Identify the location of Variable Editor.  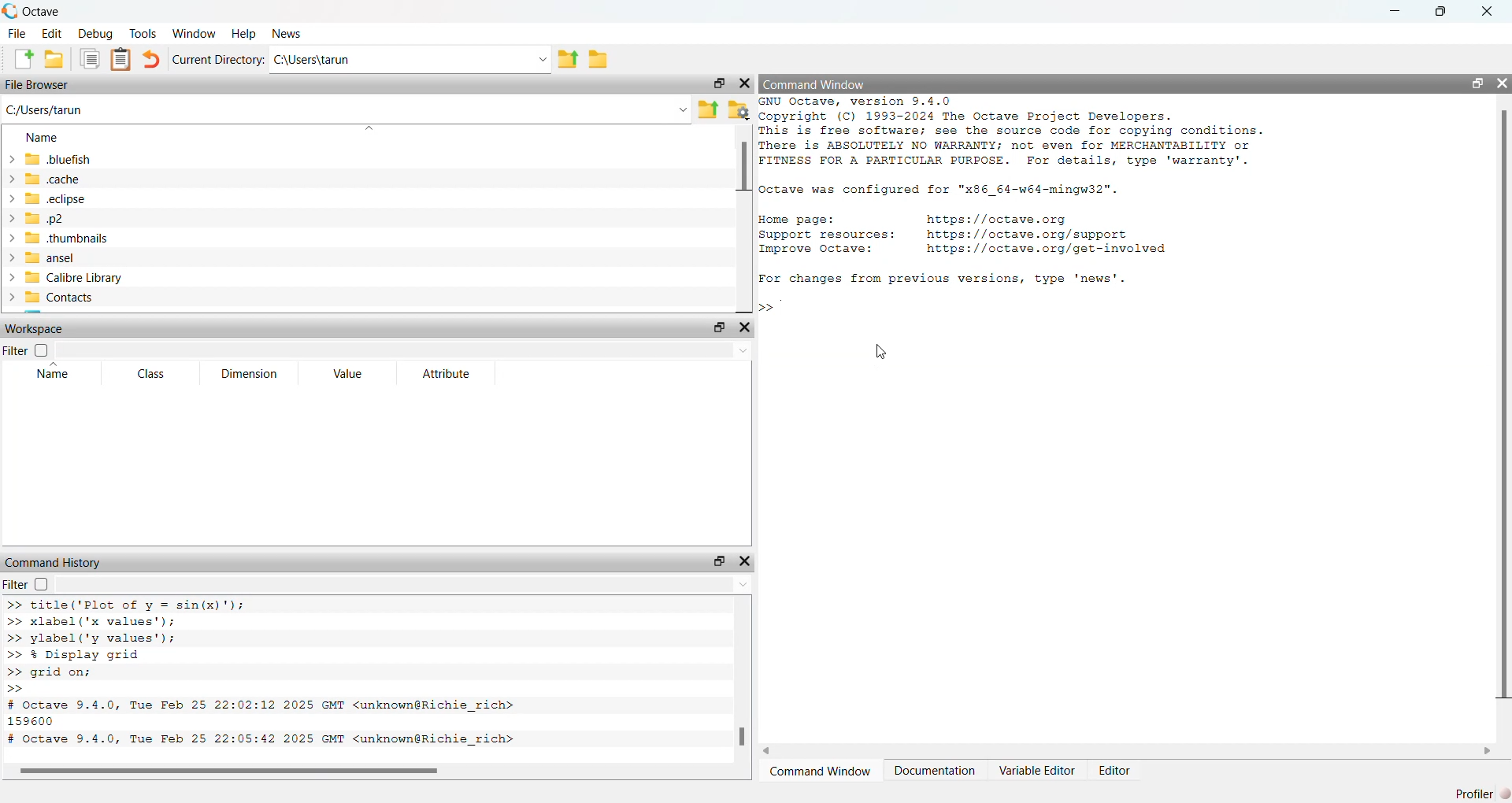
(1036, 771).